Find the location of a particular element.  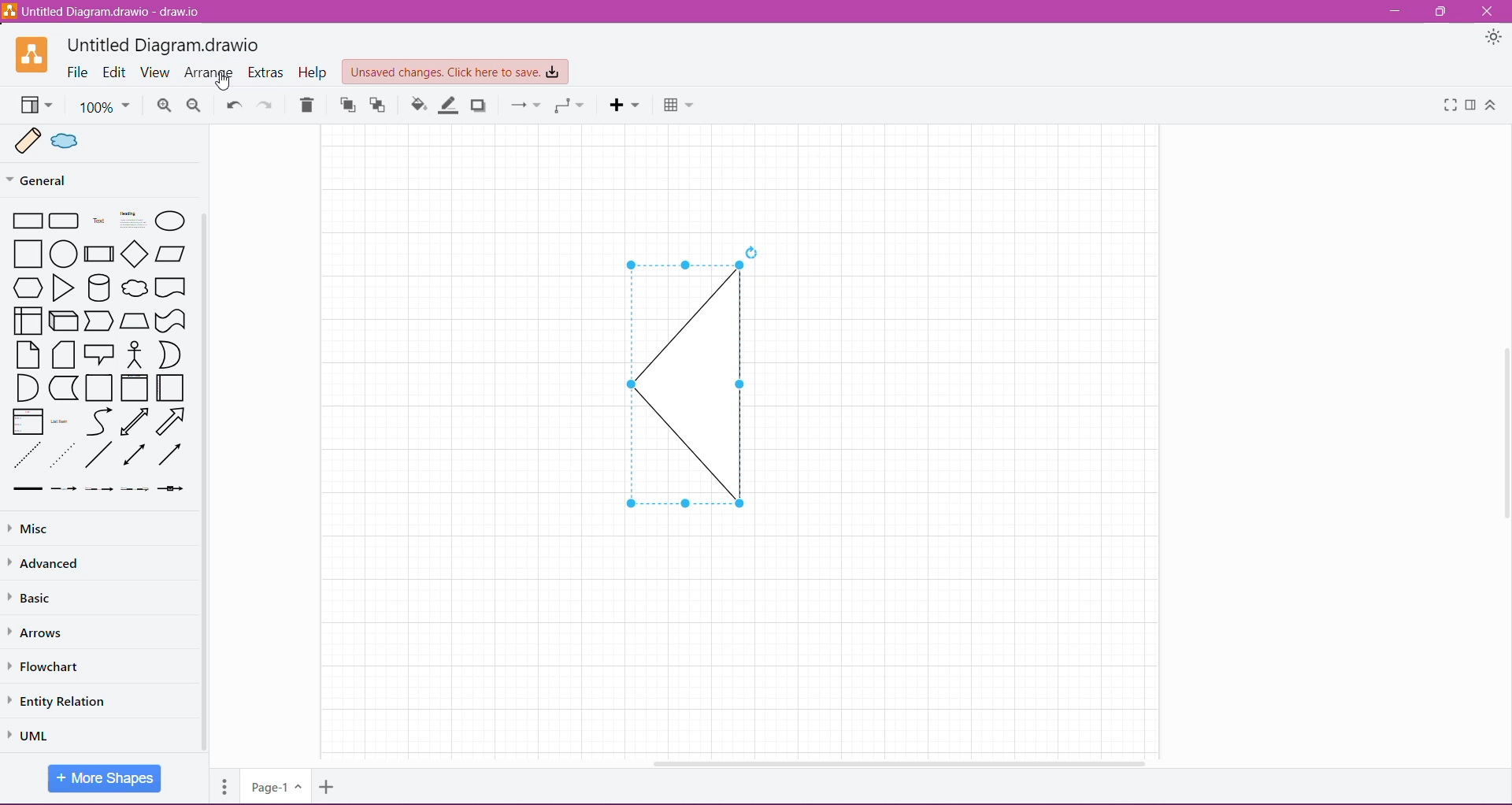

Zoom In is located at coordinates (164, 106).